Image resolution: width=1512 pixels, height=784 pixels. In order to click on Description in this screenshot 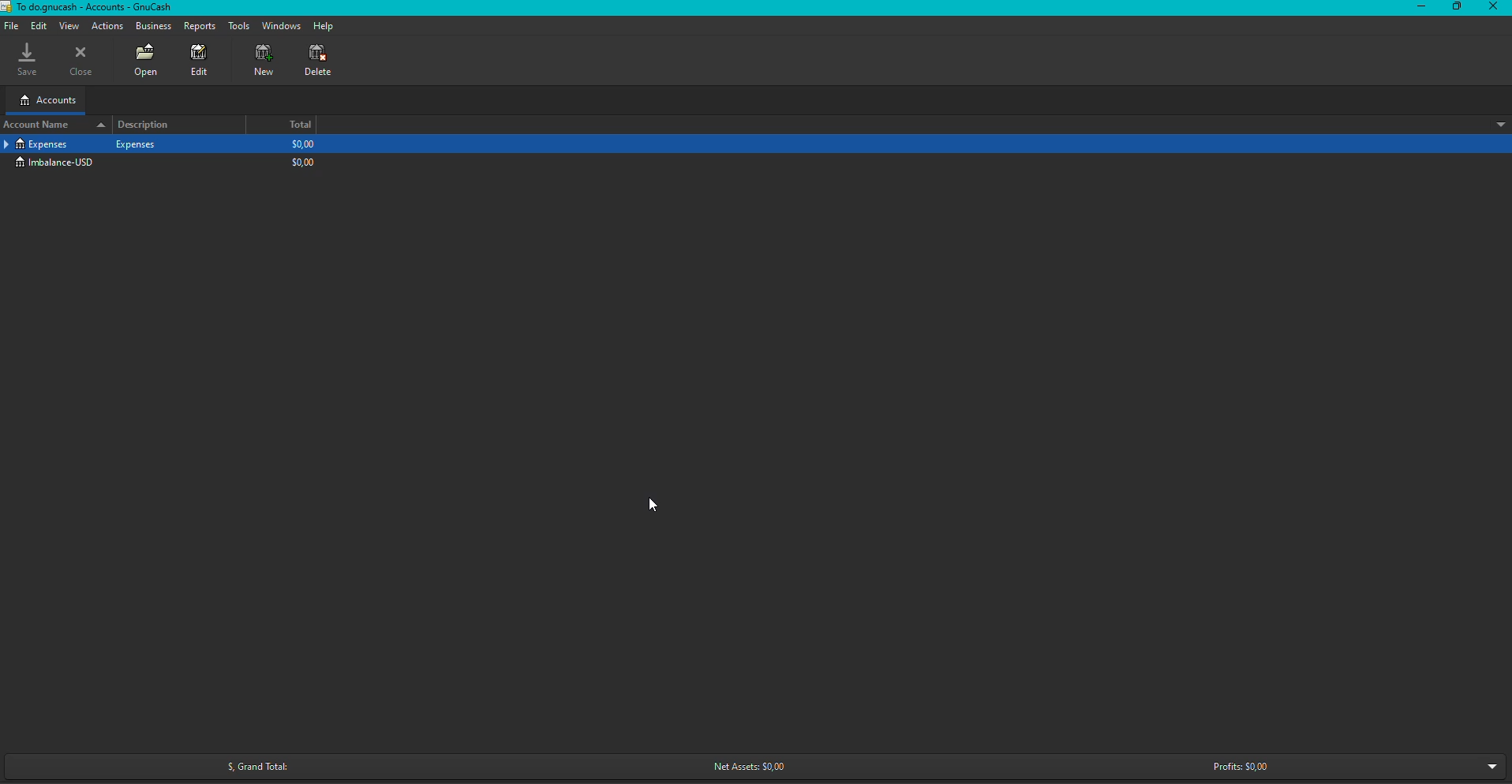, I will do `click(150, 125)`.